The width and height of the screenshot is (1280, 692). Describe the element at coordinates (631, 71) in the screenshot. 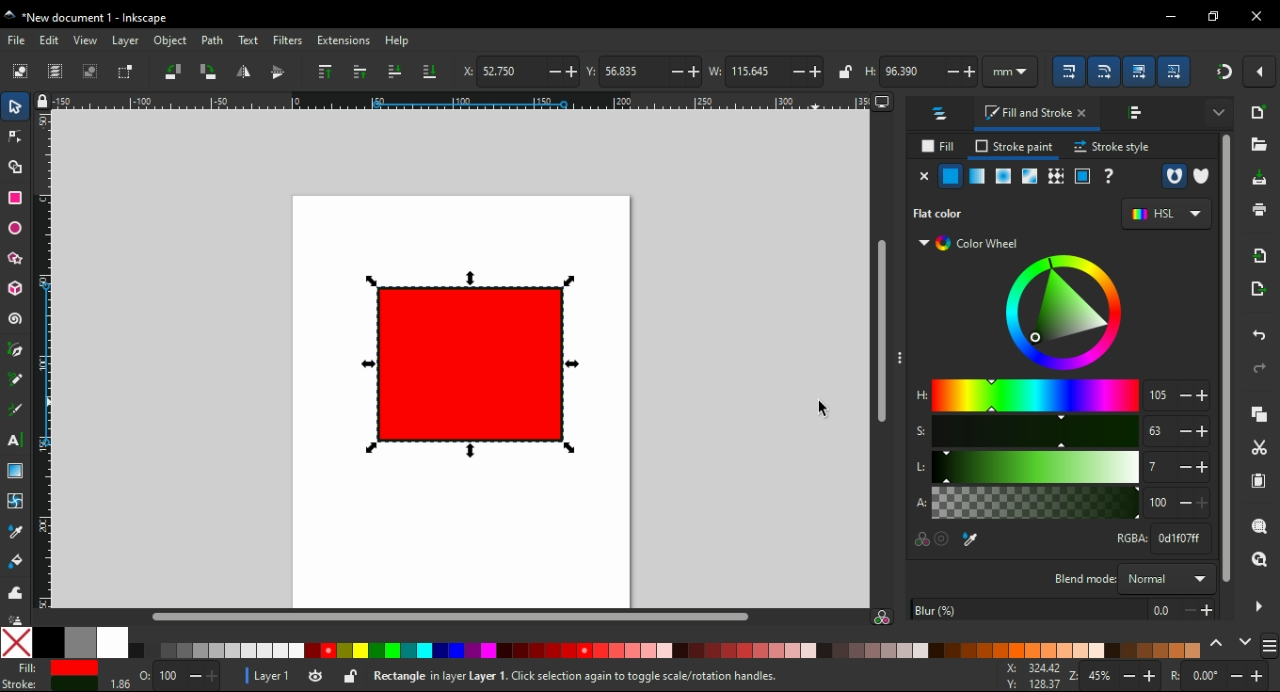

I see `56` at that location.